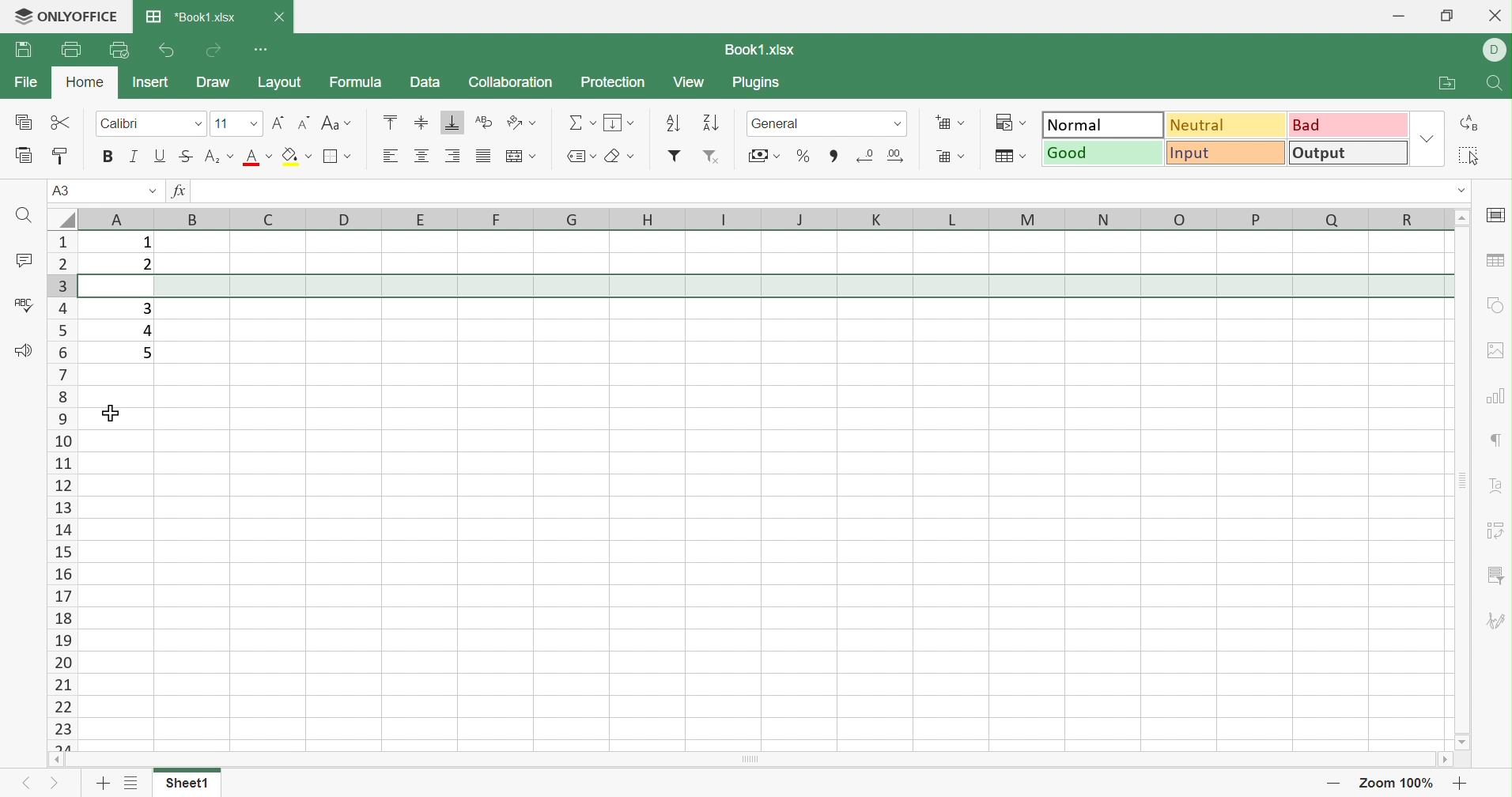  Describe the element at coordinates (1495, 398) in the screenshot. I see `Chart settings` at that location.